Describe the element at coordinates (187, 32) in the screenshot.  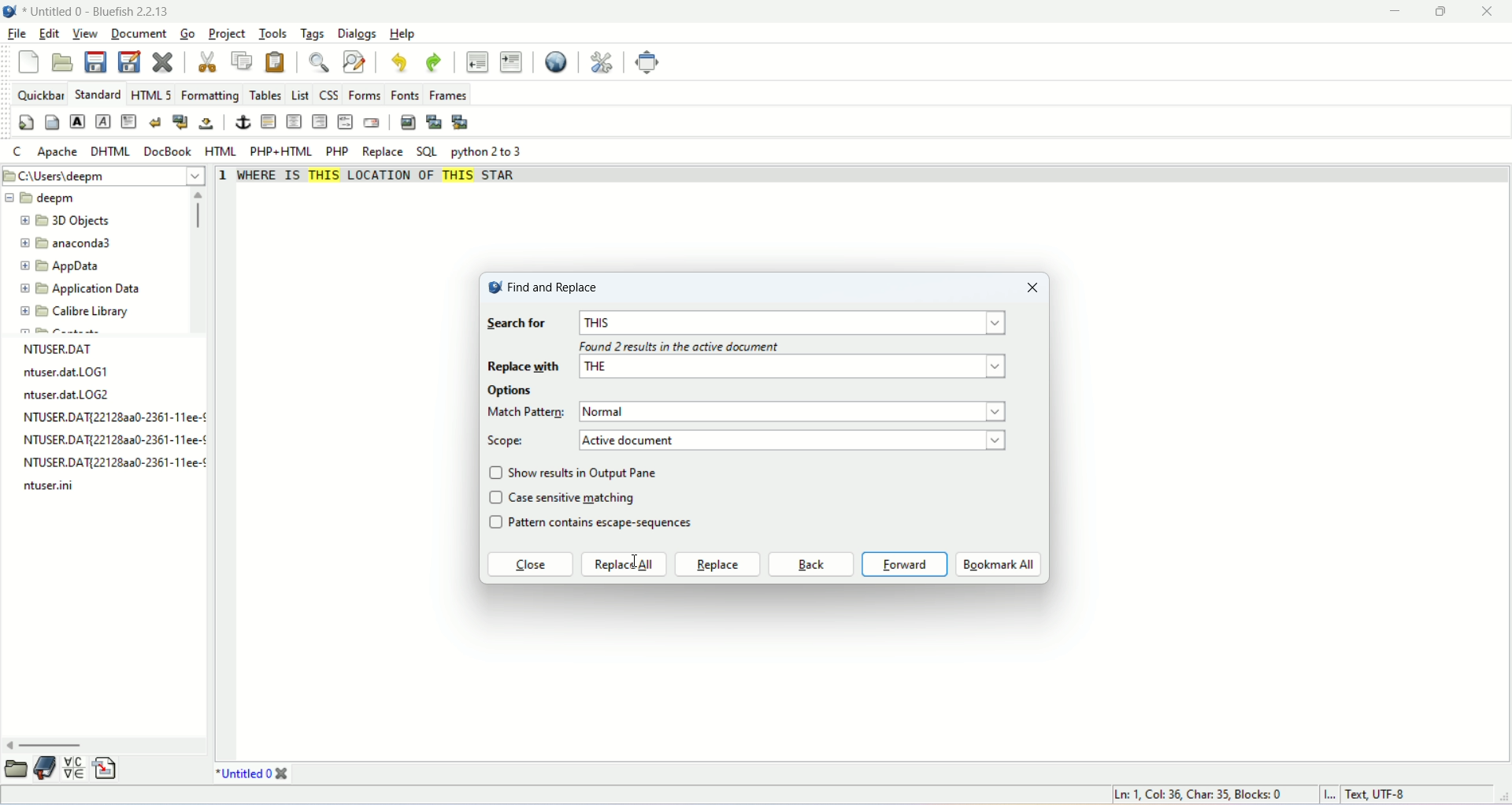
I see `go` at that location.